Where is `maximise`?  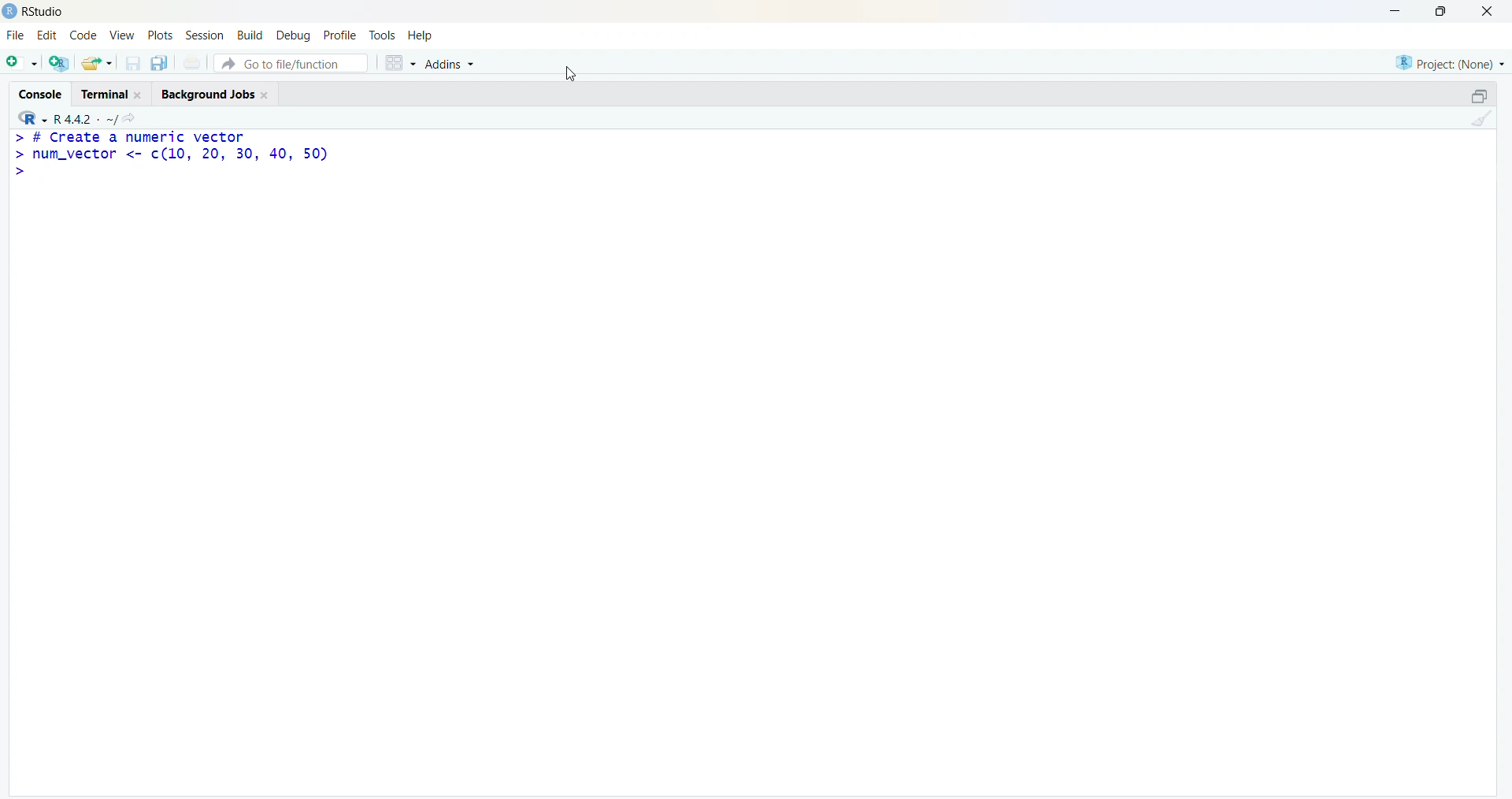 maximise is located at coordinates (1441, 10).